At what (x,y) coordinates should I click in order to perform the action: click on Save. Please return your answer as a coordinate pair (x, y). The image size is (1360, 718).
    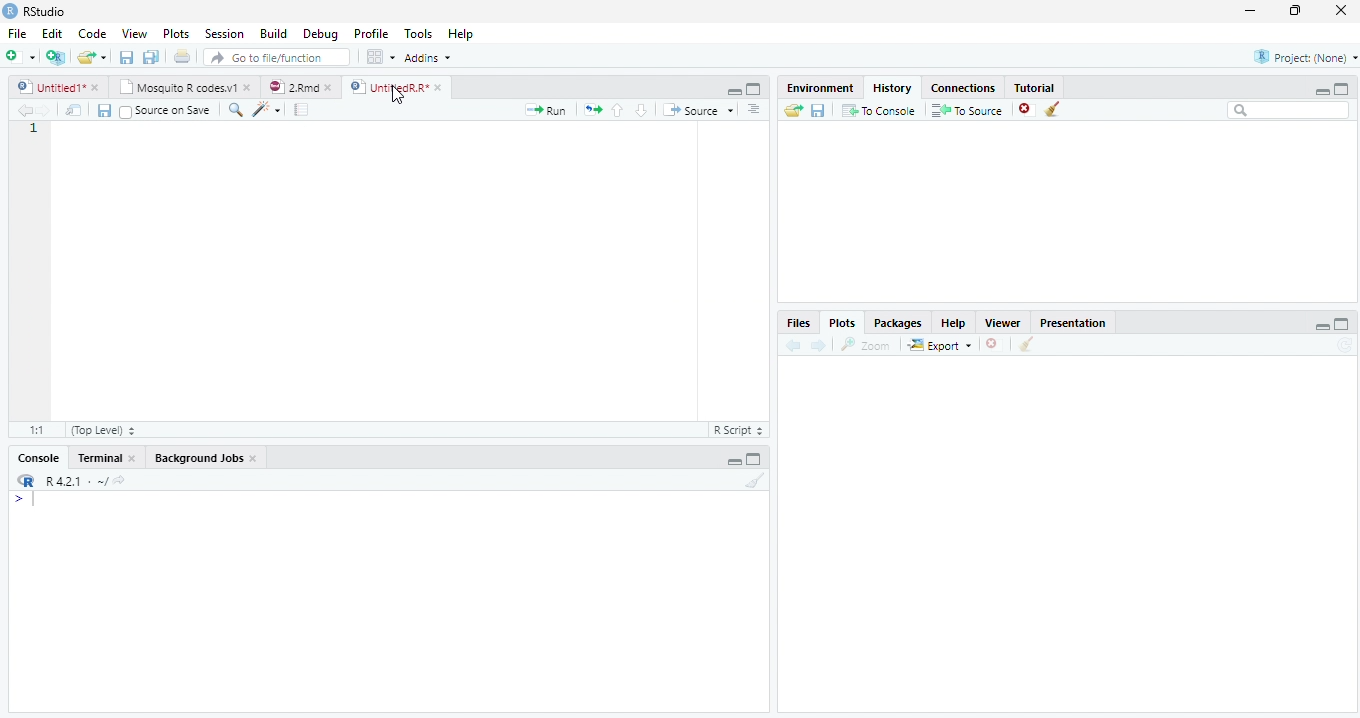
    Looking at the image, I should click on (817, 113).